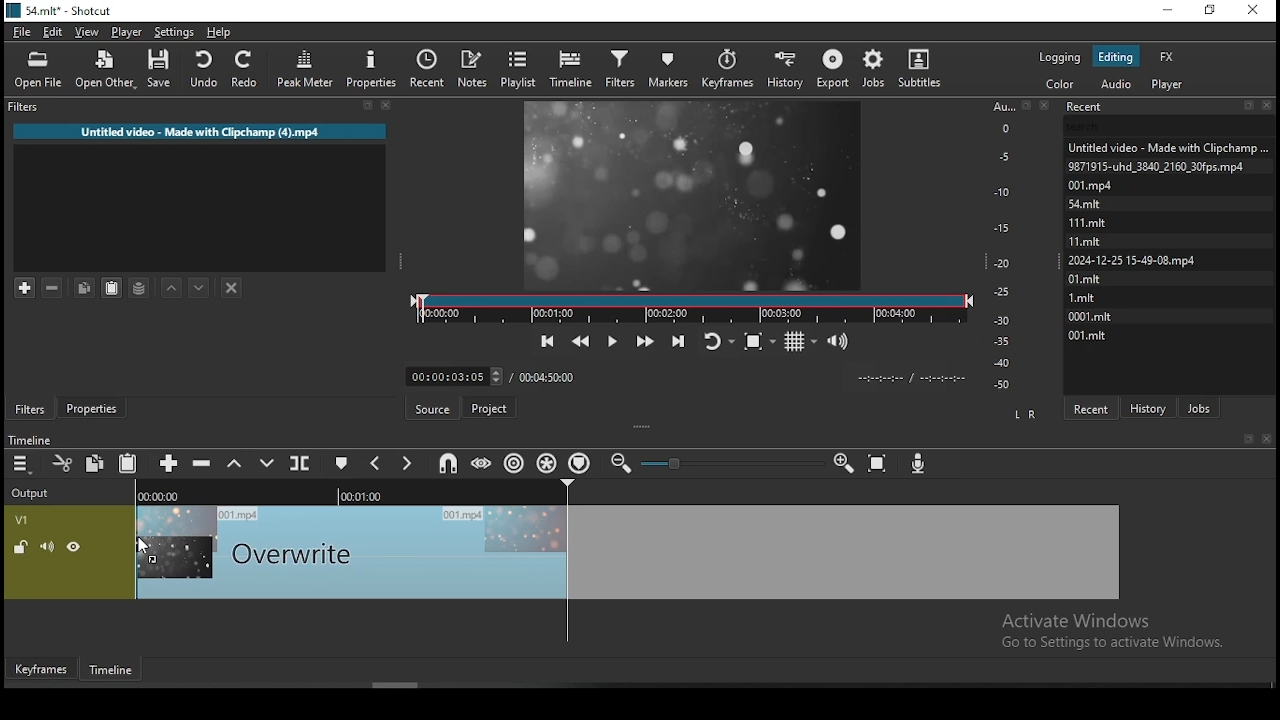 The image size is (1280, 720). I want to click on filters, so click(623, 68).